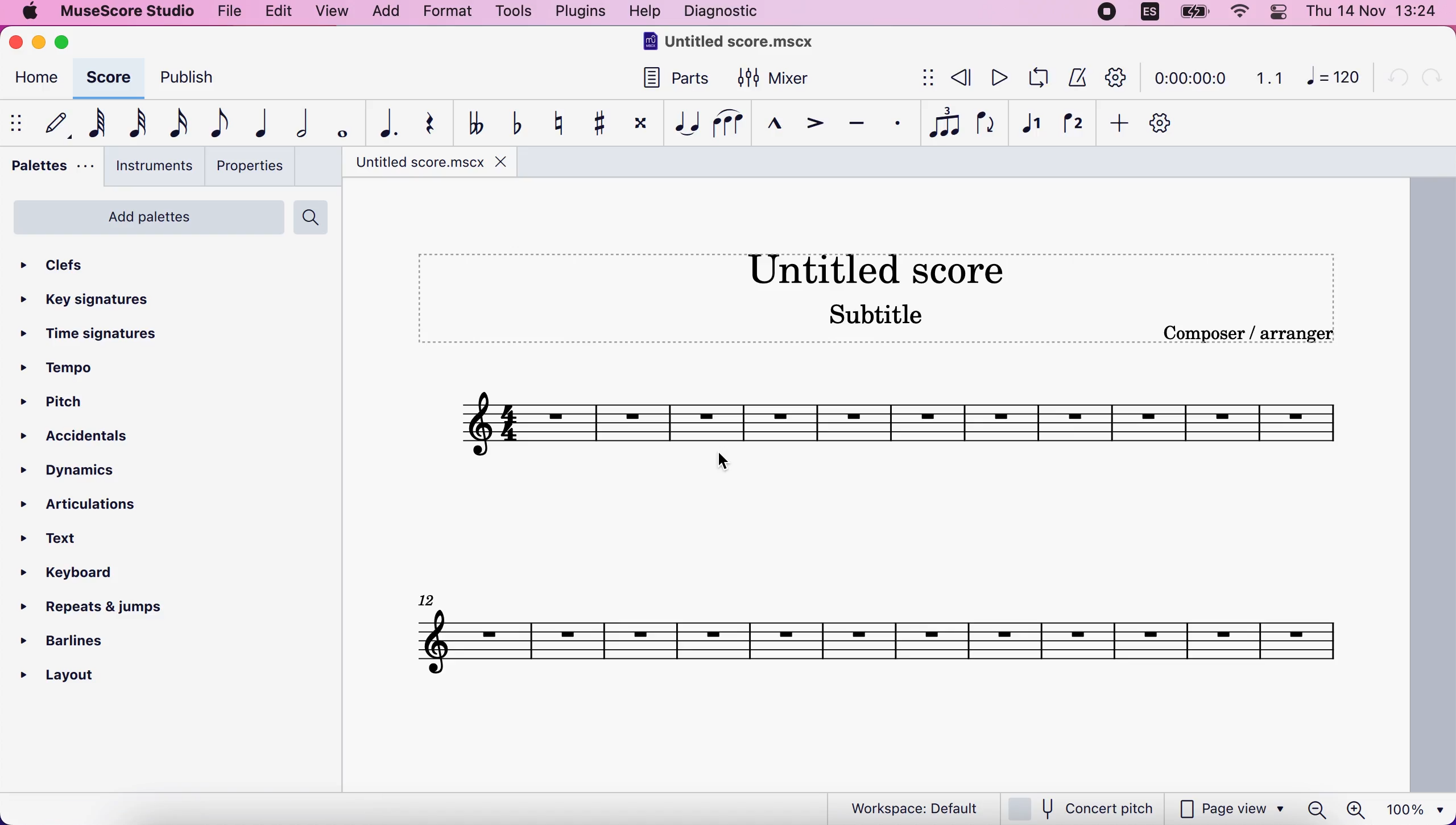  I want to click on mixer, so click(788, 79).